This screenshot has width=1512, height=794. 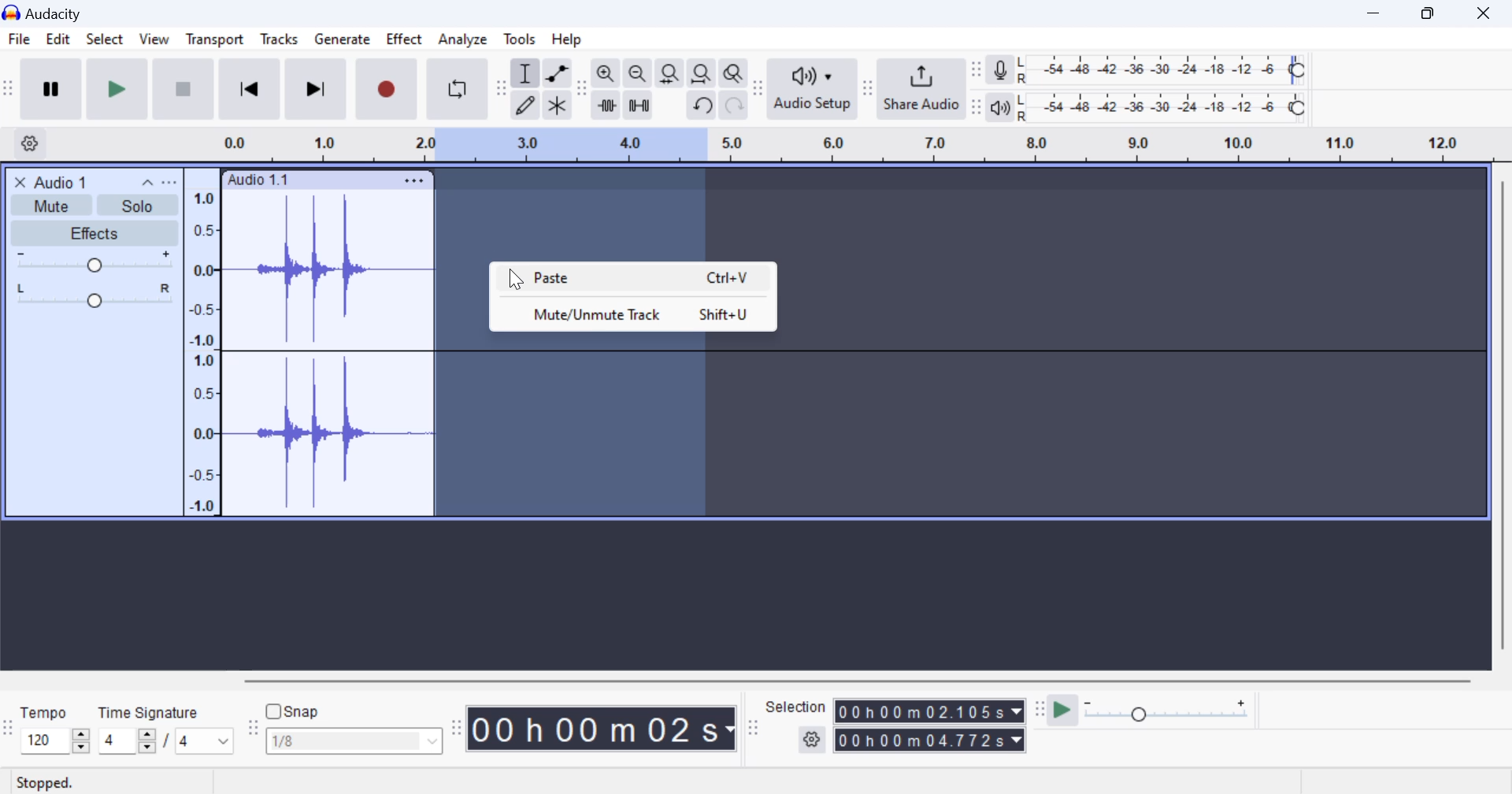 I want to click on Tracks, so click(x=280, y=43).